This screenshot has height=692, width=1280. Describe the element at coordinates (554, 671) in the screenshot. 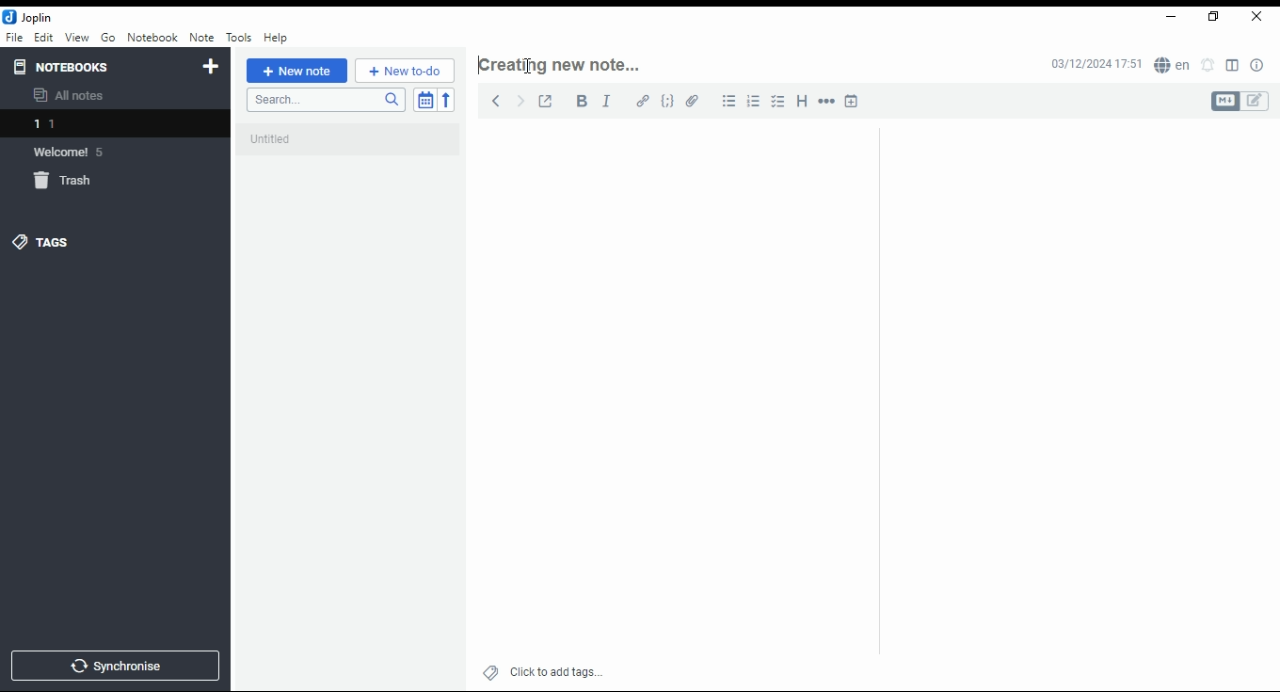

I see `click to add tags` at that location.